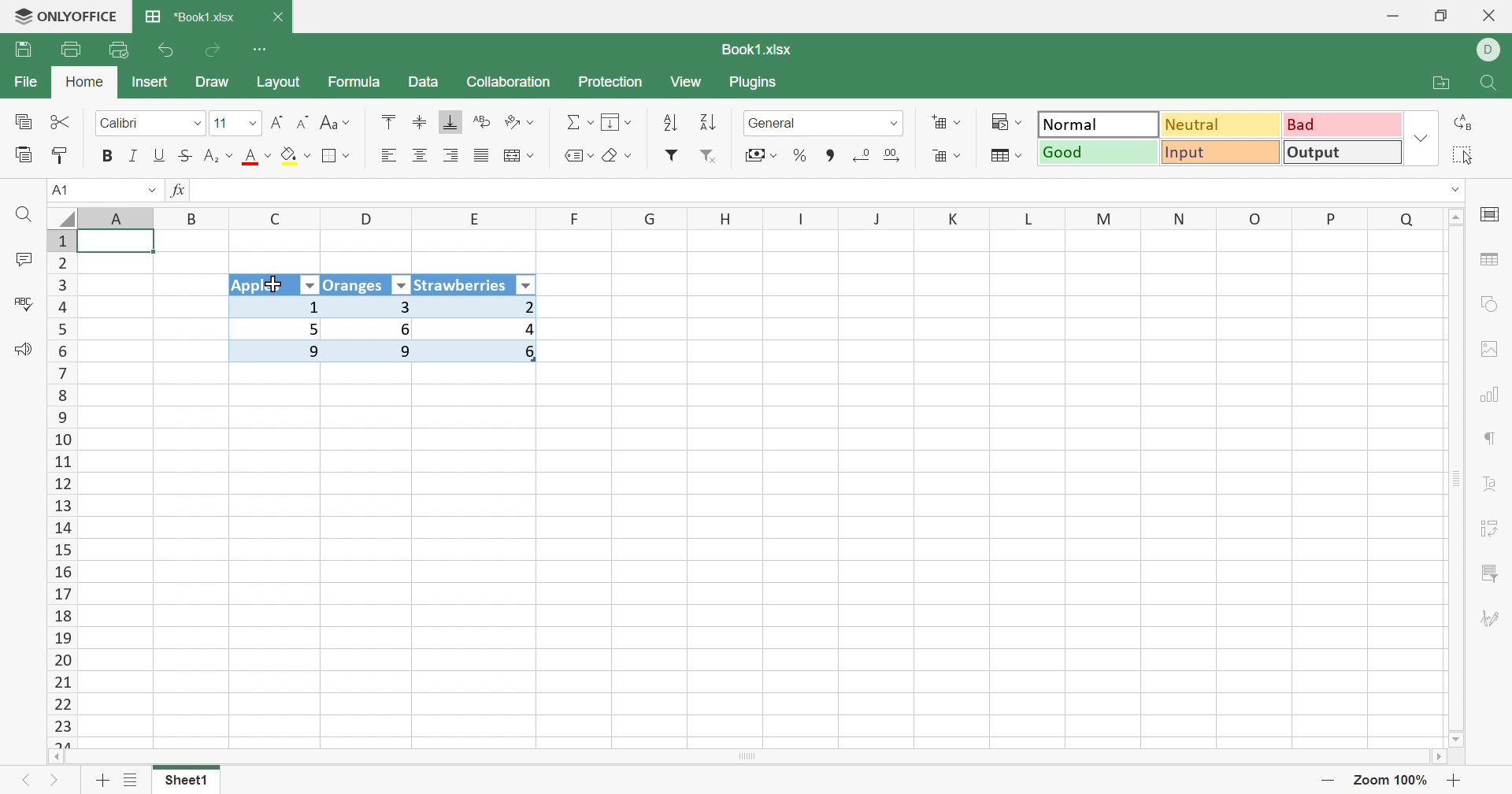 The image size is (1512, 794). Describe the element at coordinates (108, 155) in the screenshot. I see `Bold` at that location.